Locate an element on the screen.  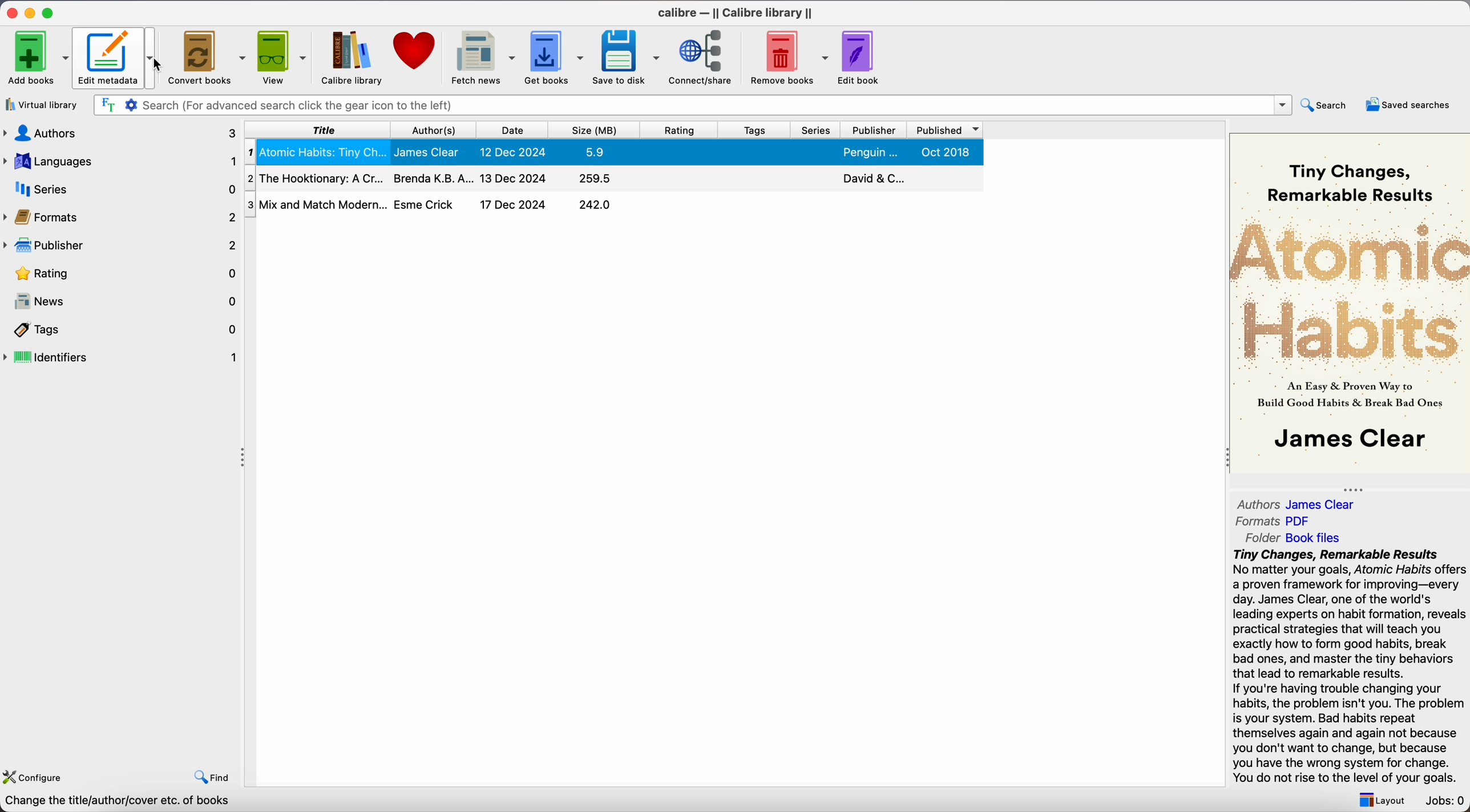
layout is located at coordinates (1381, 801).